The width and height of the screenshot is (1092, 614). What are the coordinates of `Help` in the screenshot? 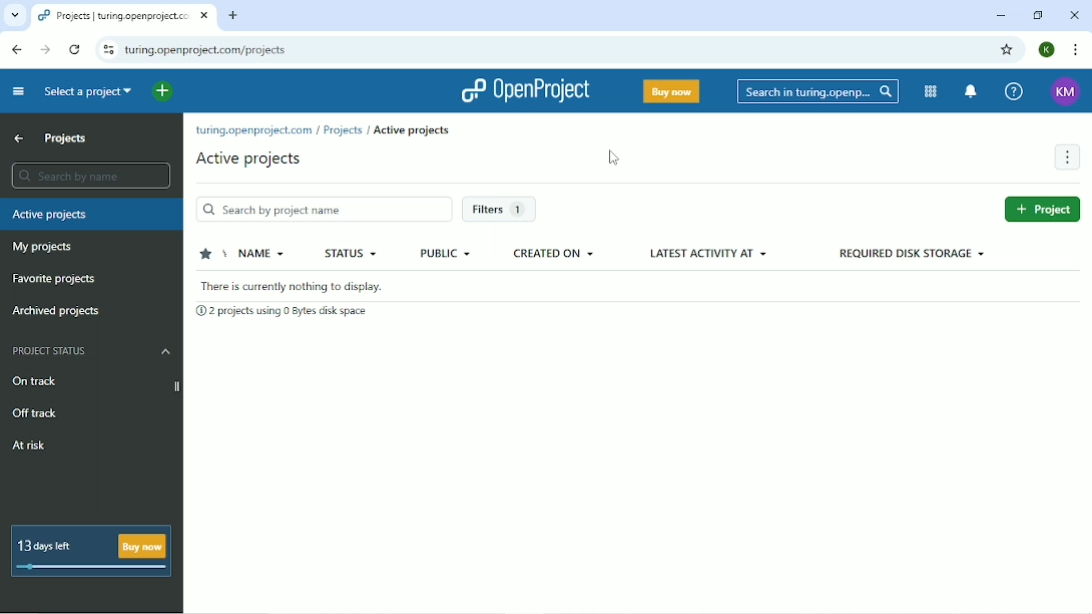 It's located at (1017, 91).